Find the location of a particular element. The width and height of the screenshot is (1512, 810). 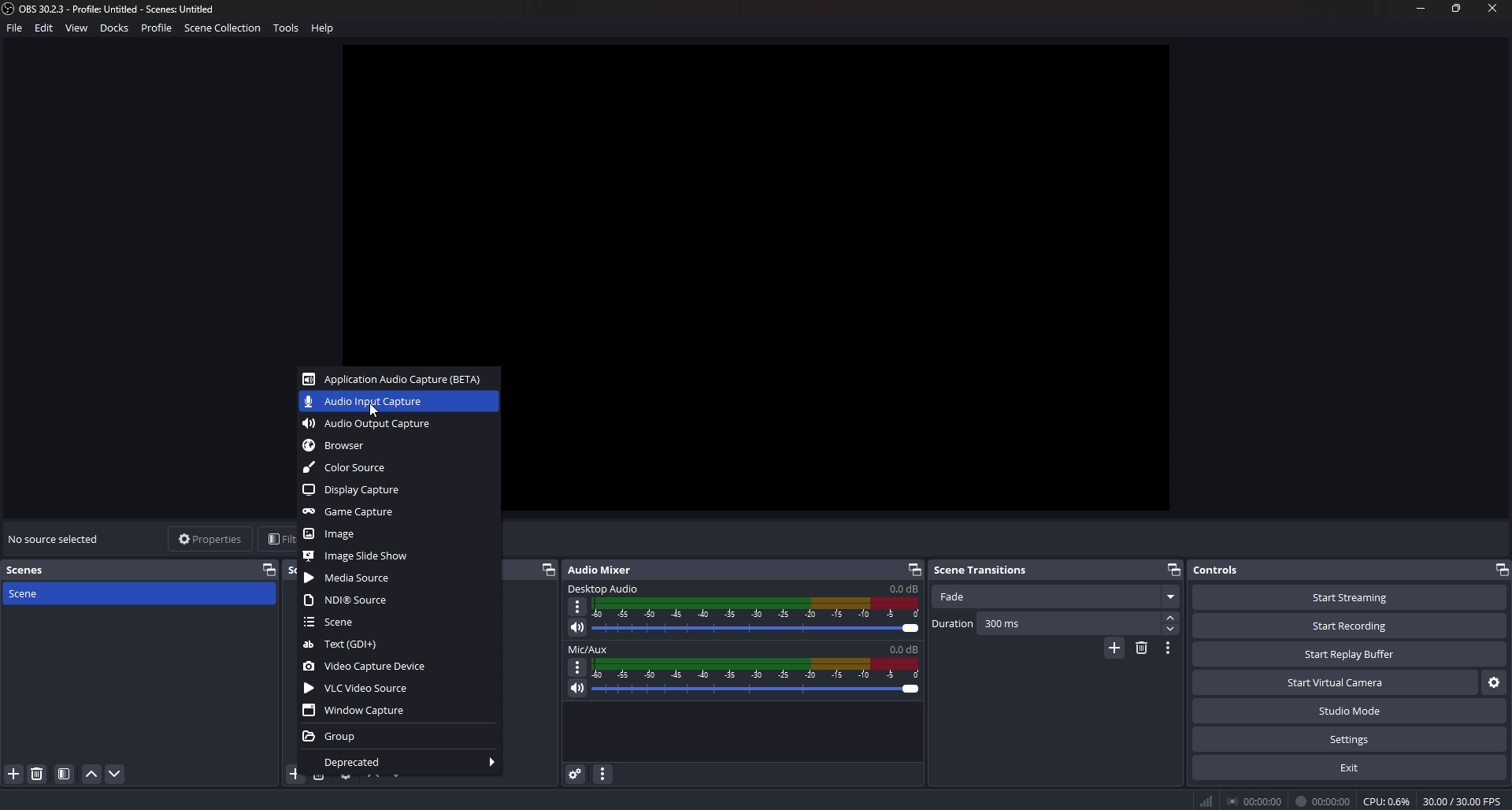

controls is located at coordinates (1231, 570).